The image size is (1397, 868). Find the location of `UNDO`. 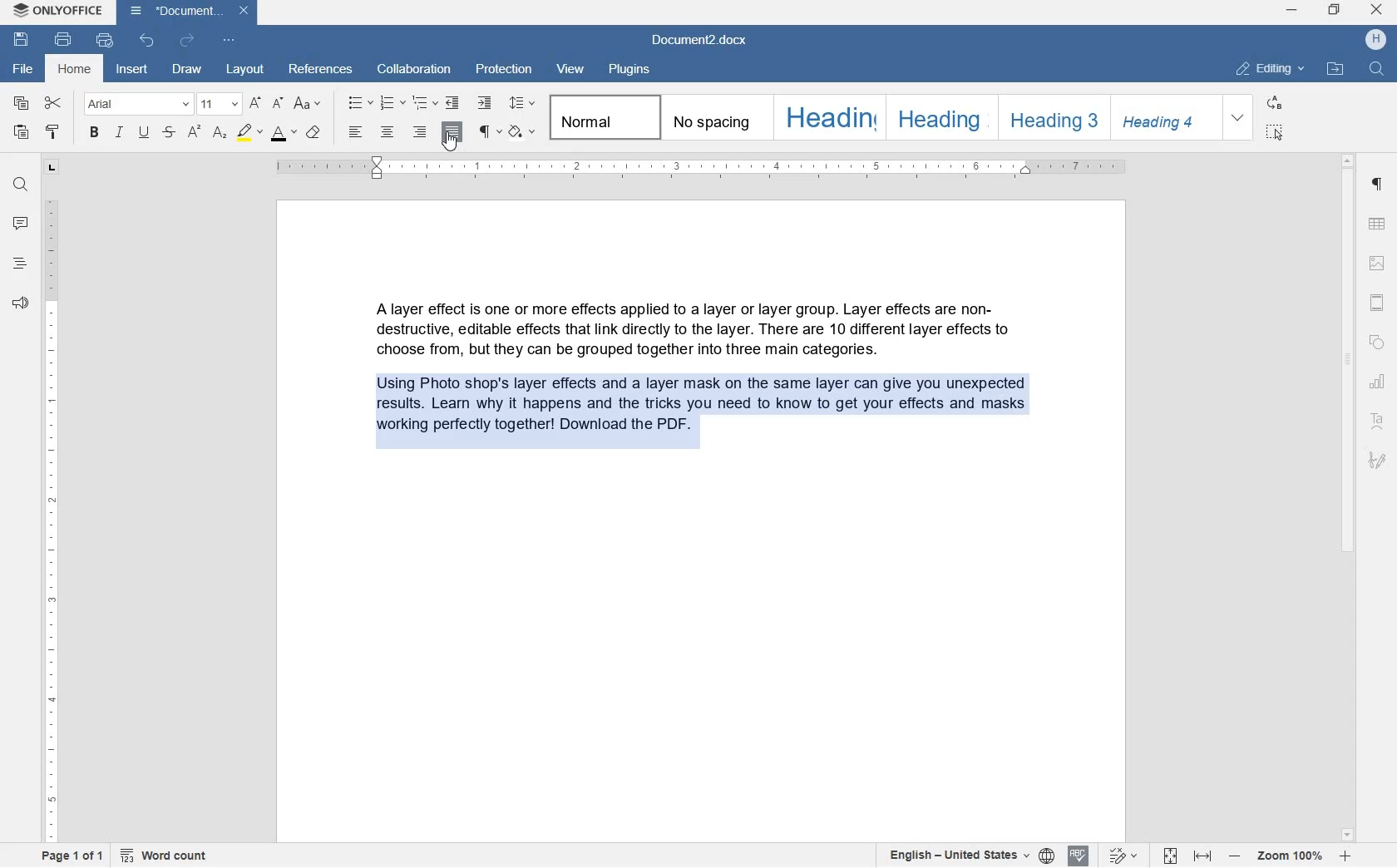

UNDO is located at coordinates (148, 42).